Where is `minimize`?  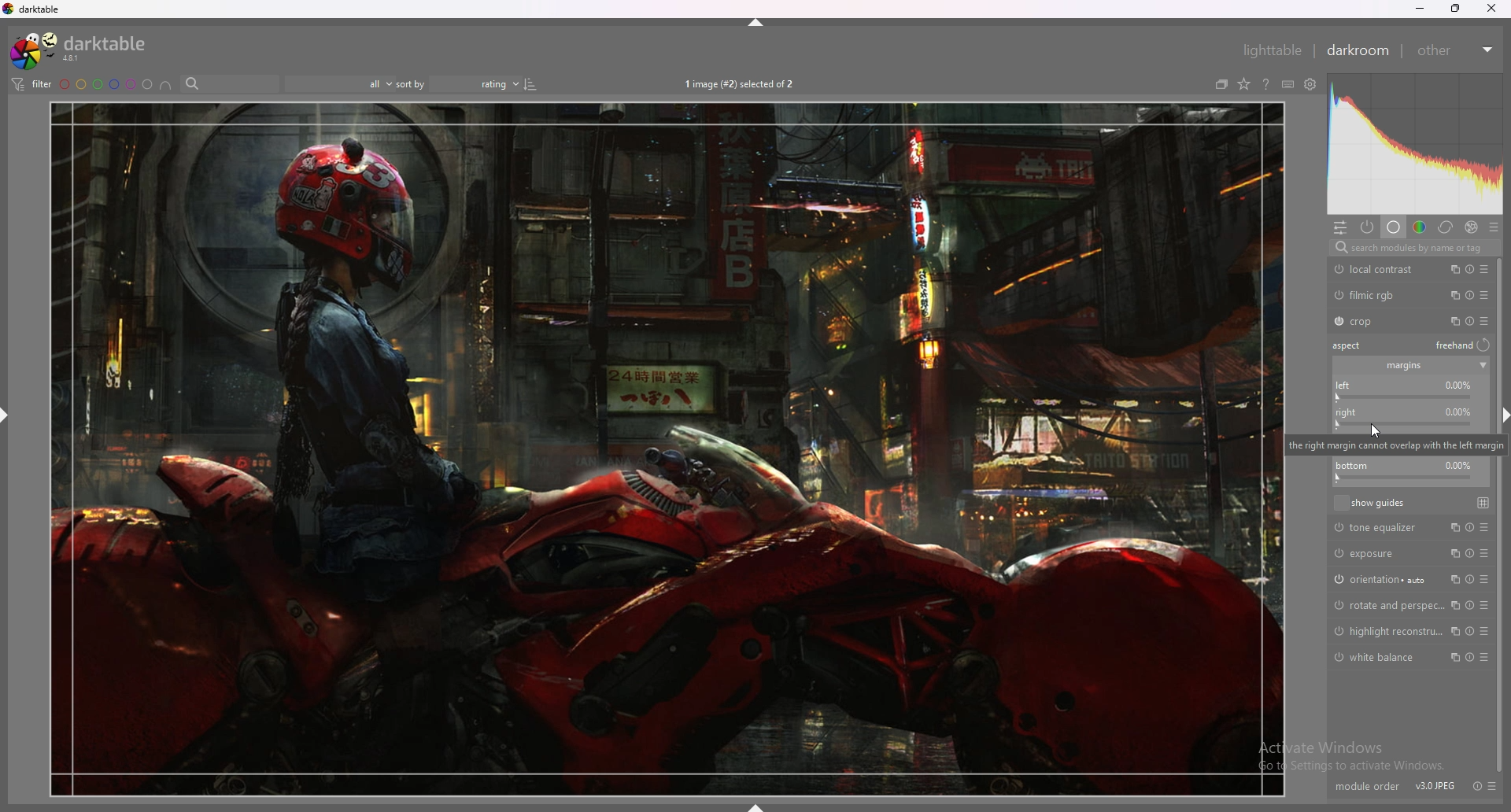
minimize is located at coordinates (1418, 9).